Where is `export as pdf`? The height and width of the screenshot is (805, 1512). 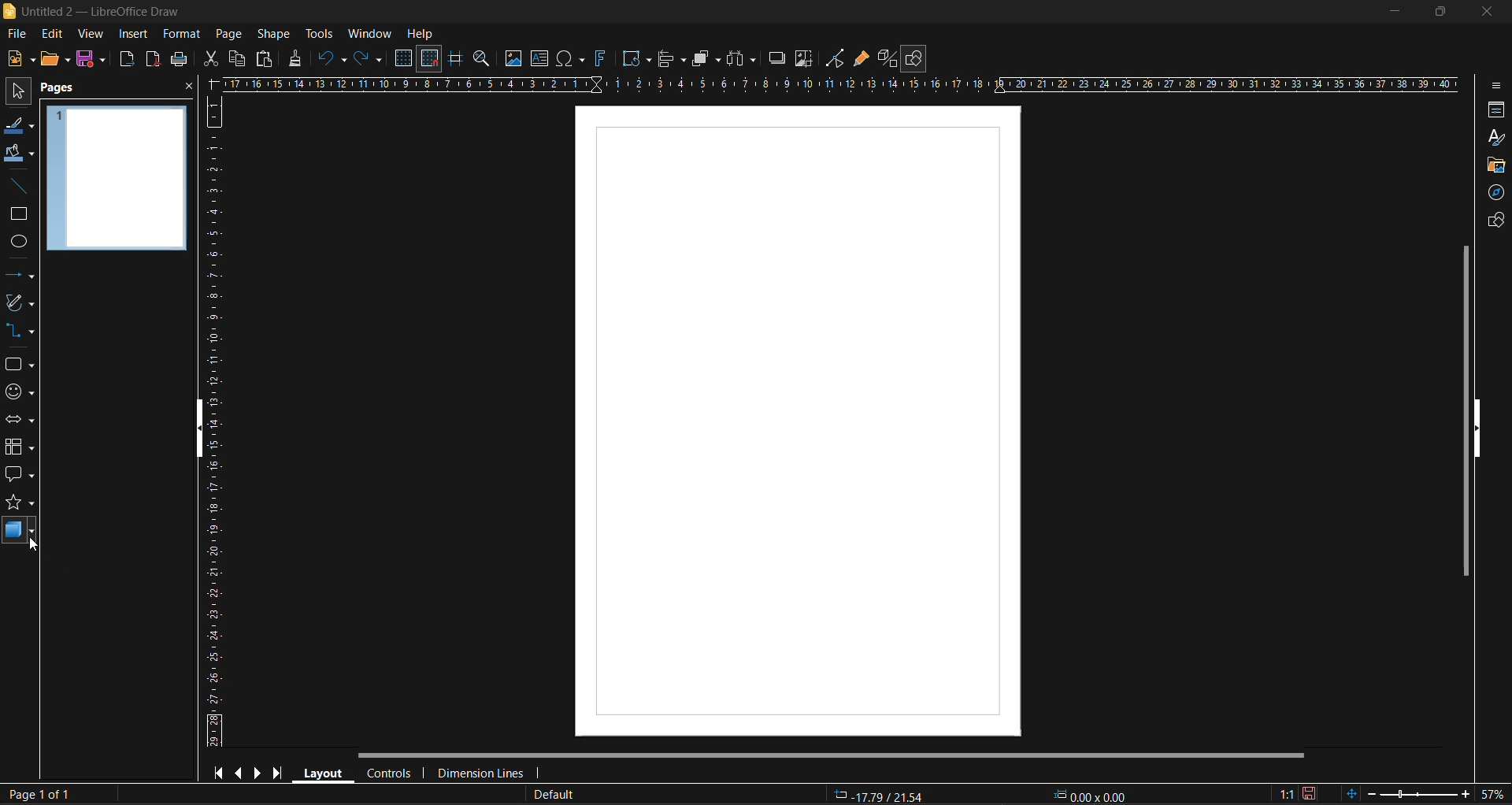 export as pdf is located at coordinates (150, 58).